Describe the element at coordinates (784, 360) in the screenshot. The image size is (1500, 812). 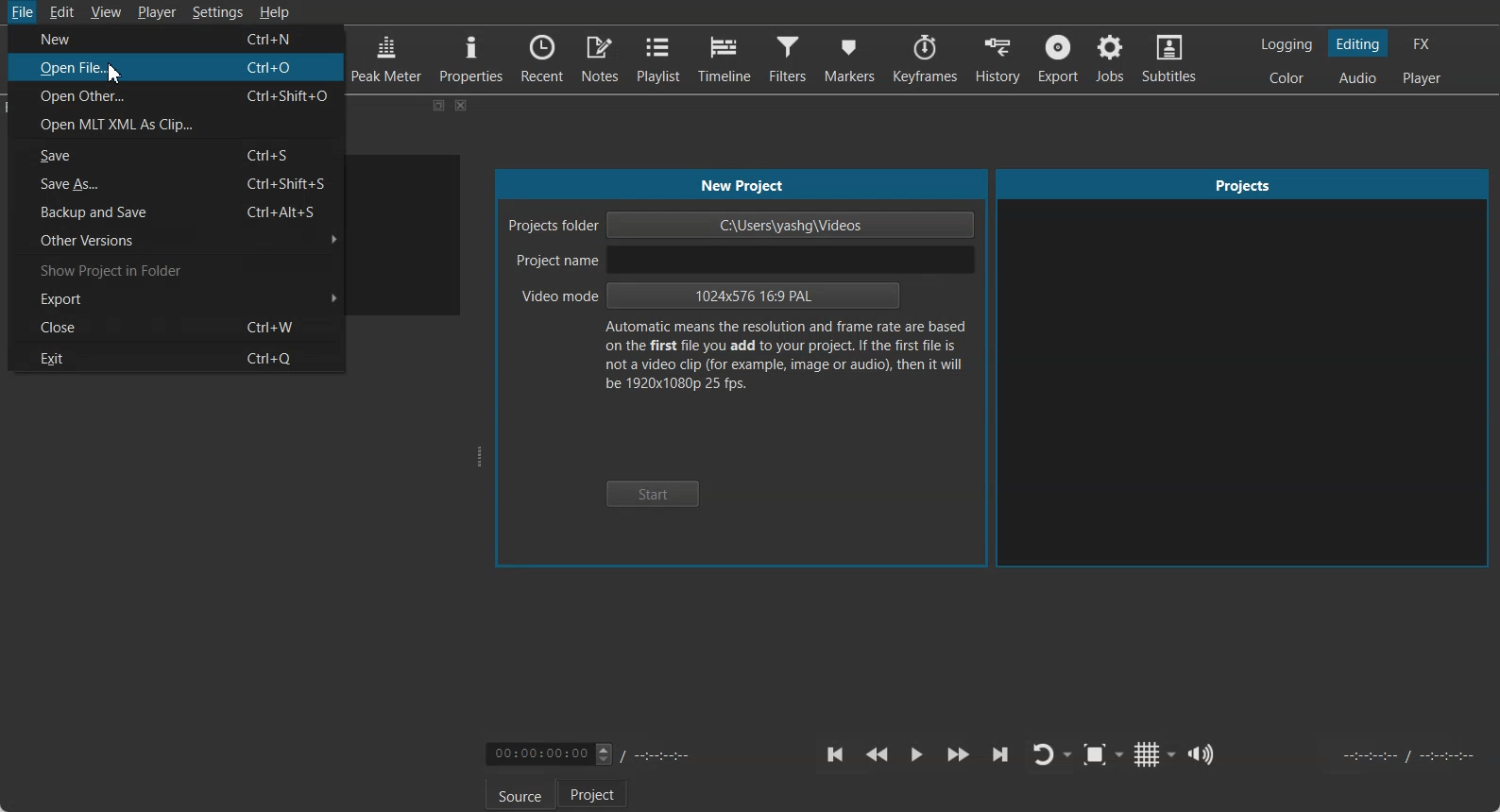
I see `Text` at that location.